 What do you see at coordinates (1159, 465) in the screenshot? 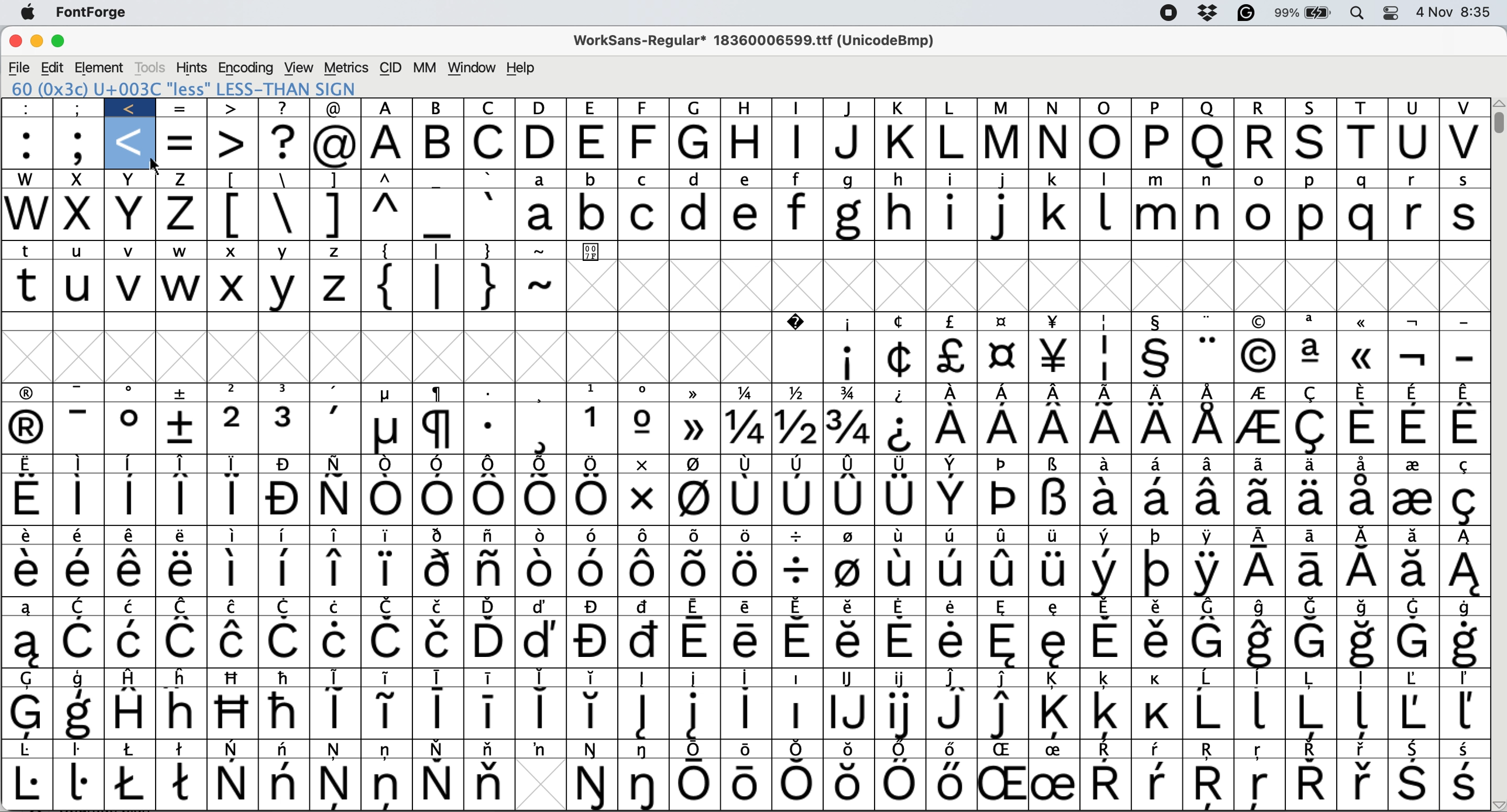
I see `Symbol` at bounding box center [1159, 465].